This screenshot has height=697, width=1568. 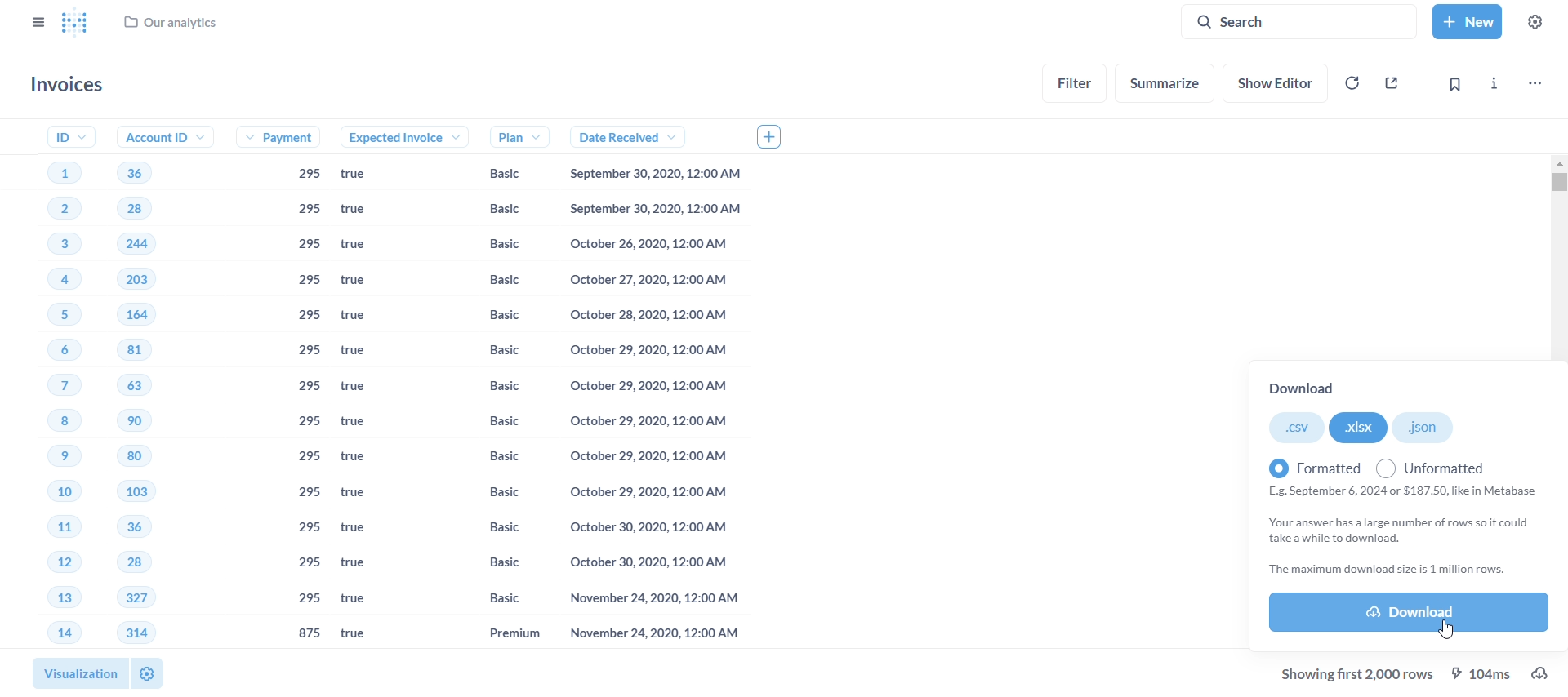 I want to click on .csv, so click(x=1296, y=428).